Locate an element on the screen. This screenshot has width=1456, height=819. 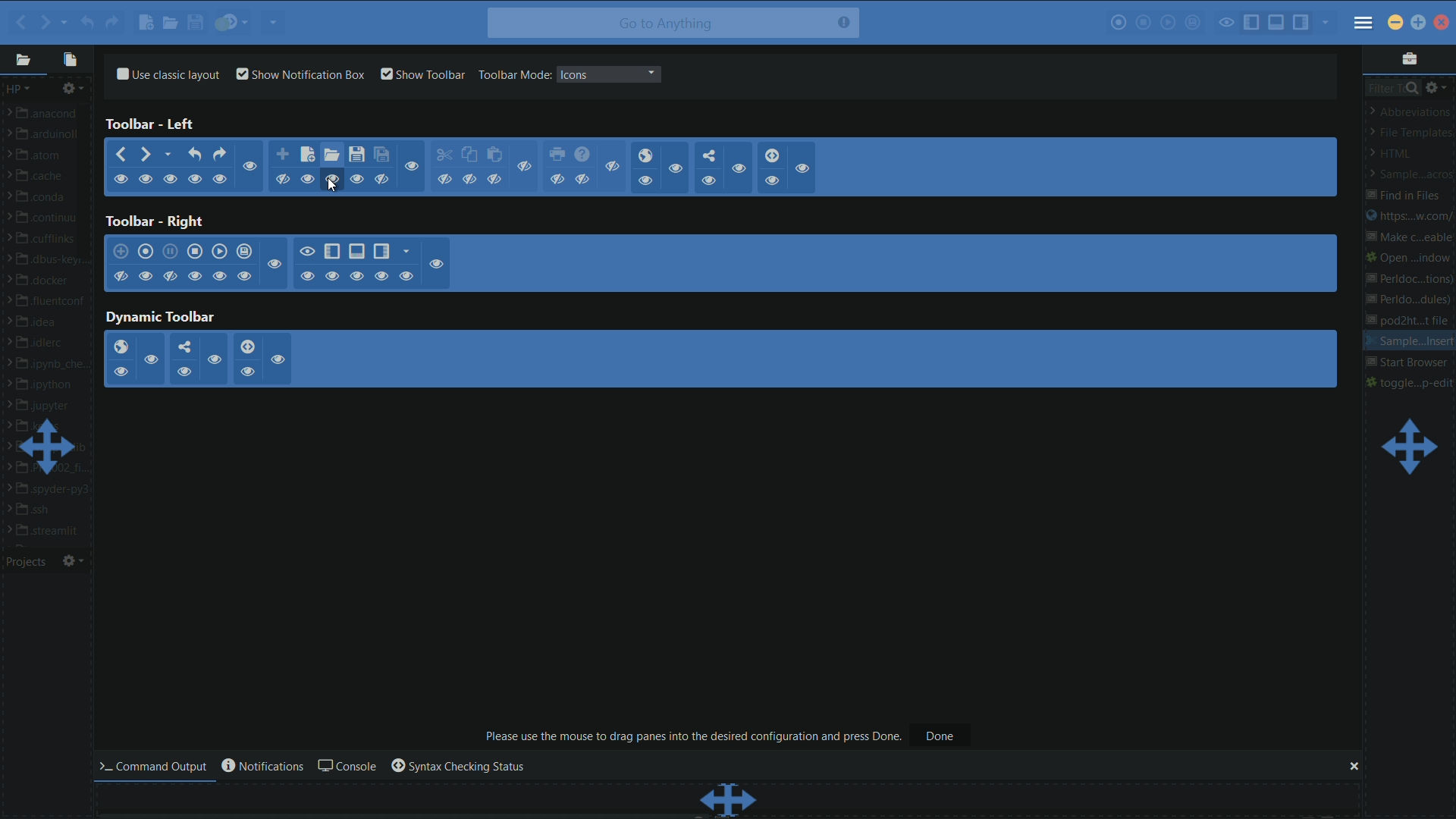
cursor is located at coordinates (333, 190).